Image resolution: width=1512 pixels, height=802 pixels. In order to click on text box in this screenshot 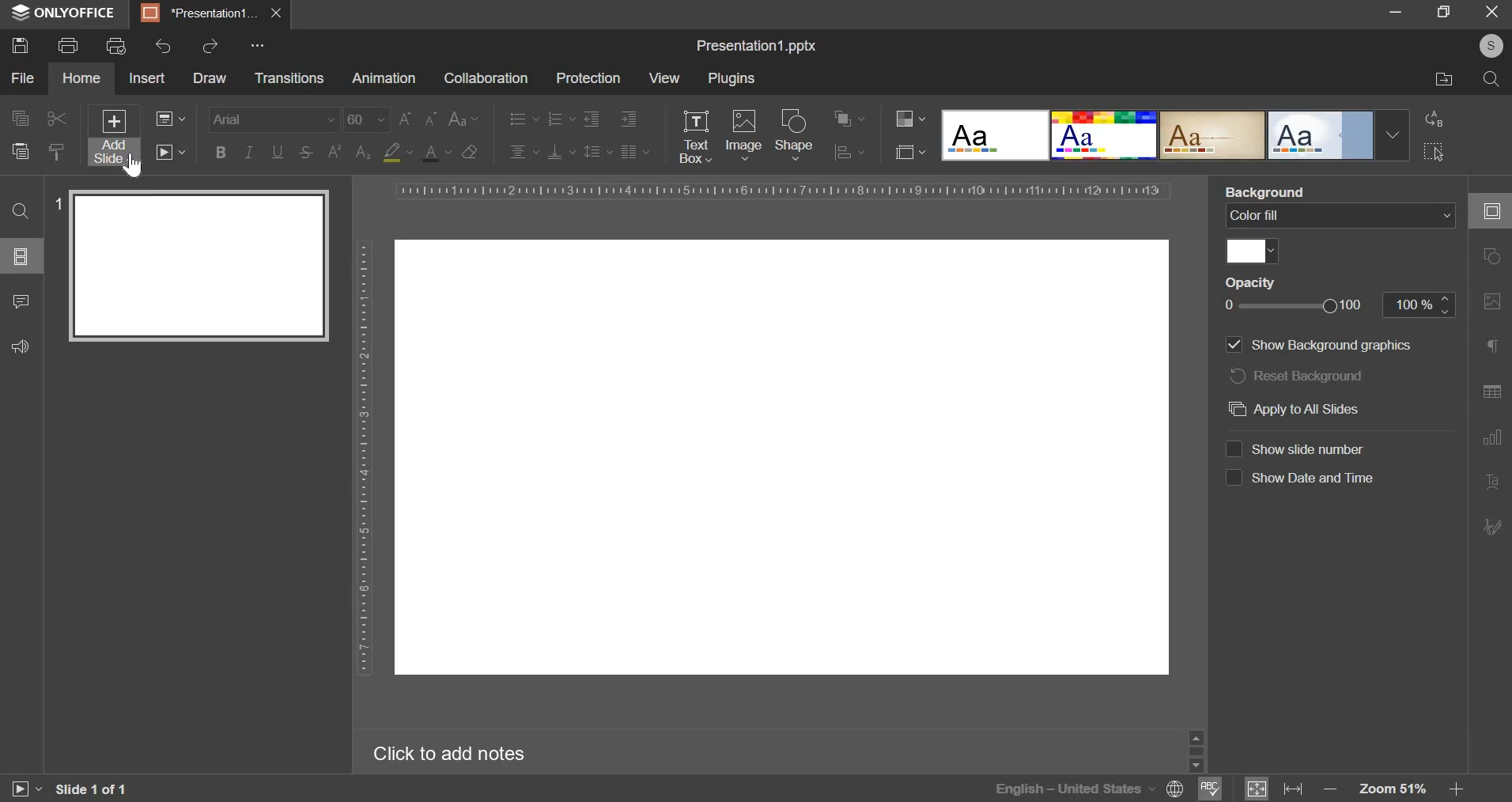, I will do `click(694, 137)`.